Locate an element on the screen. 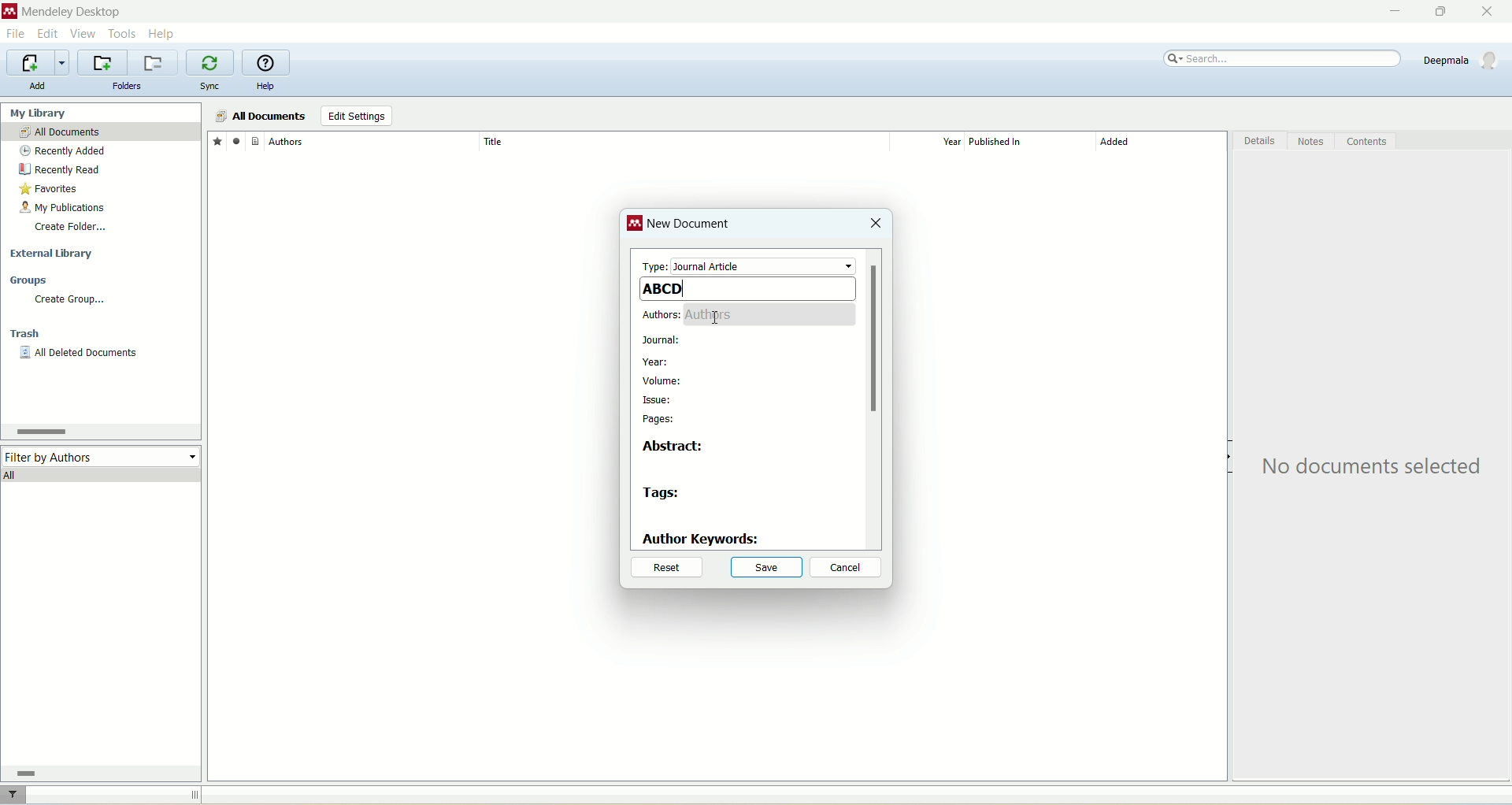  journal is located at coordinates (662, 340).